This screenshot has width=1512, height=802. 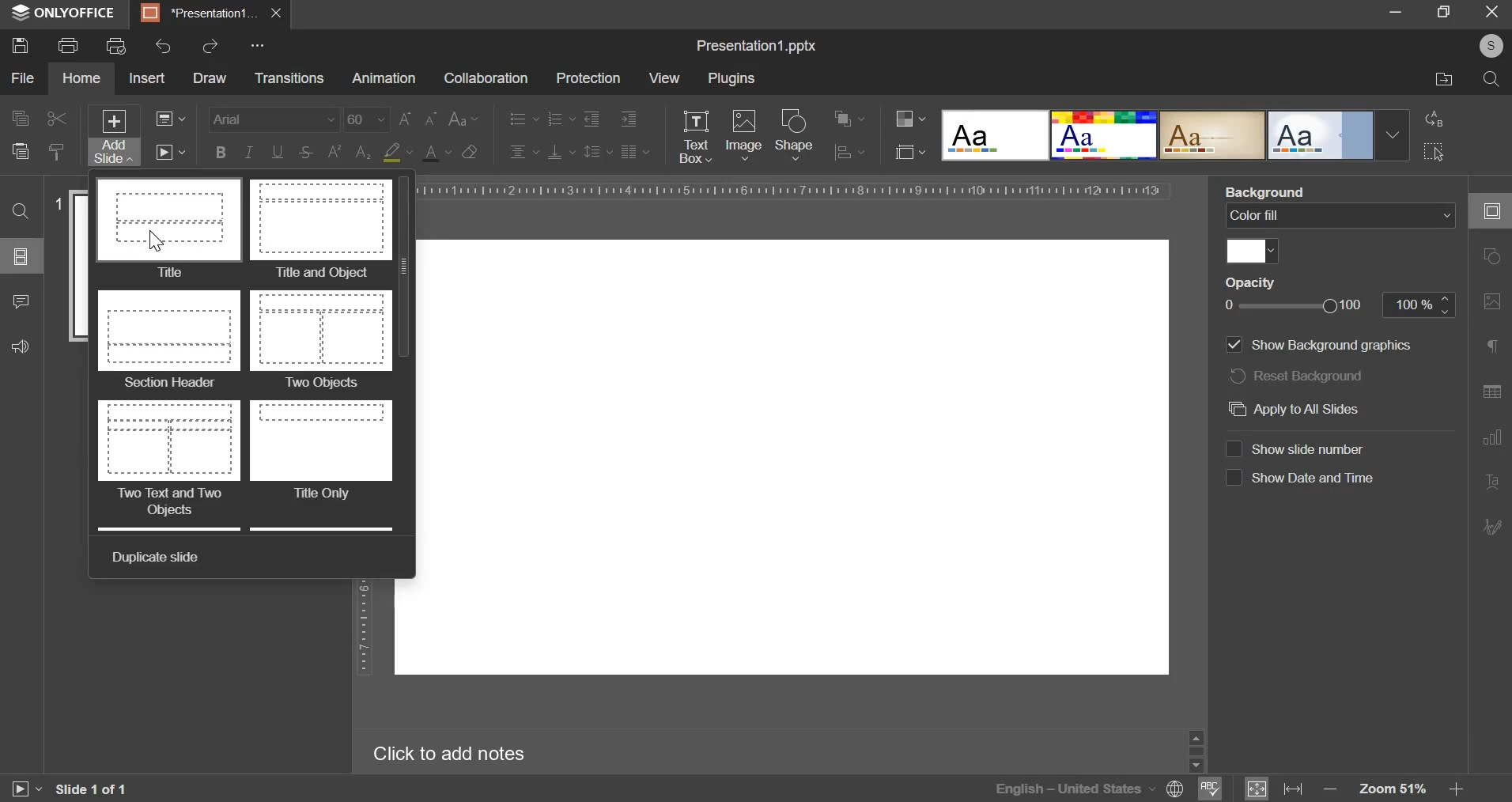 What do you see at coordinates (560, 118) in the screenshot?
I see `numbering` at bounding box center [560, 118].